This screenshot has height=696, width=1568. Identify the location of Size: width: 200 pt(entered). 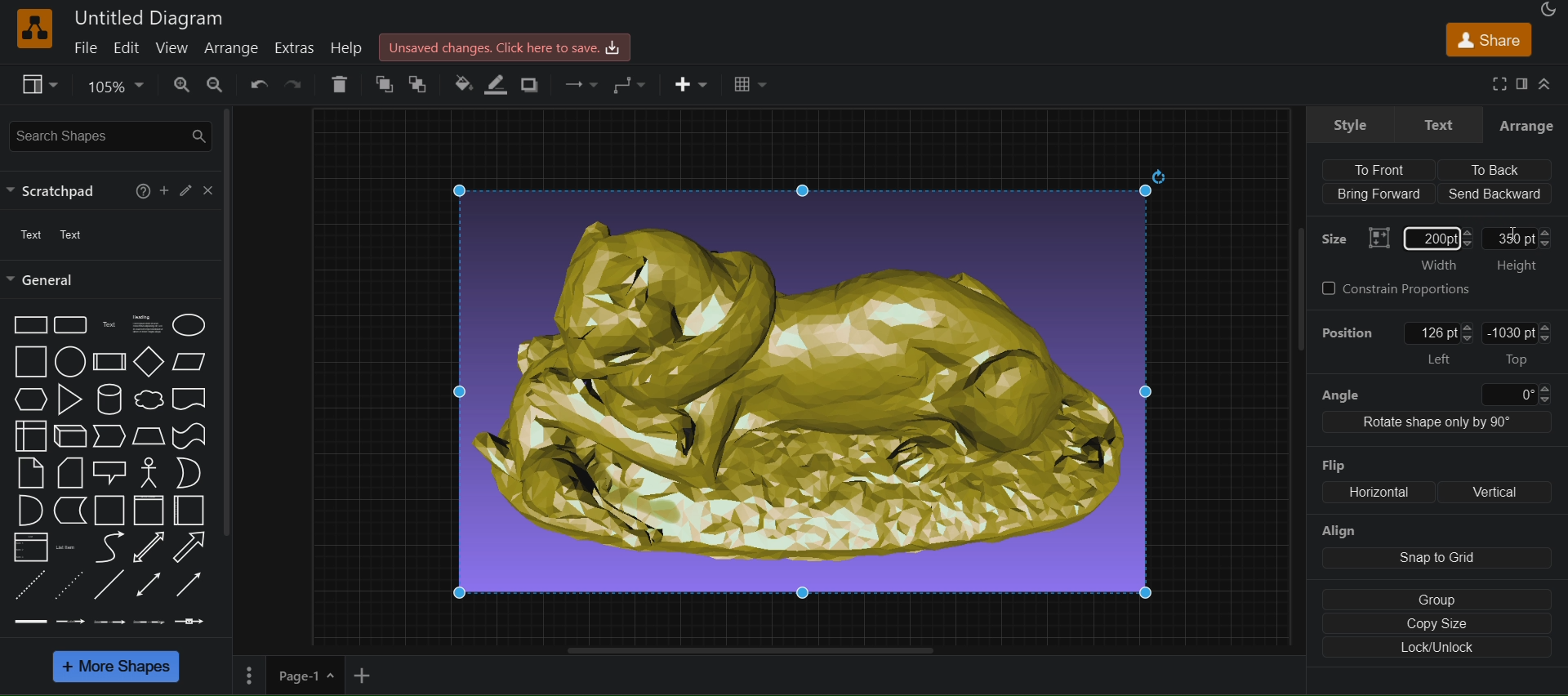
(1420, 235).